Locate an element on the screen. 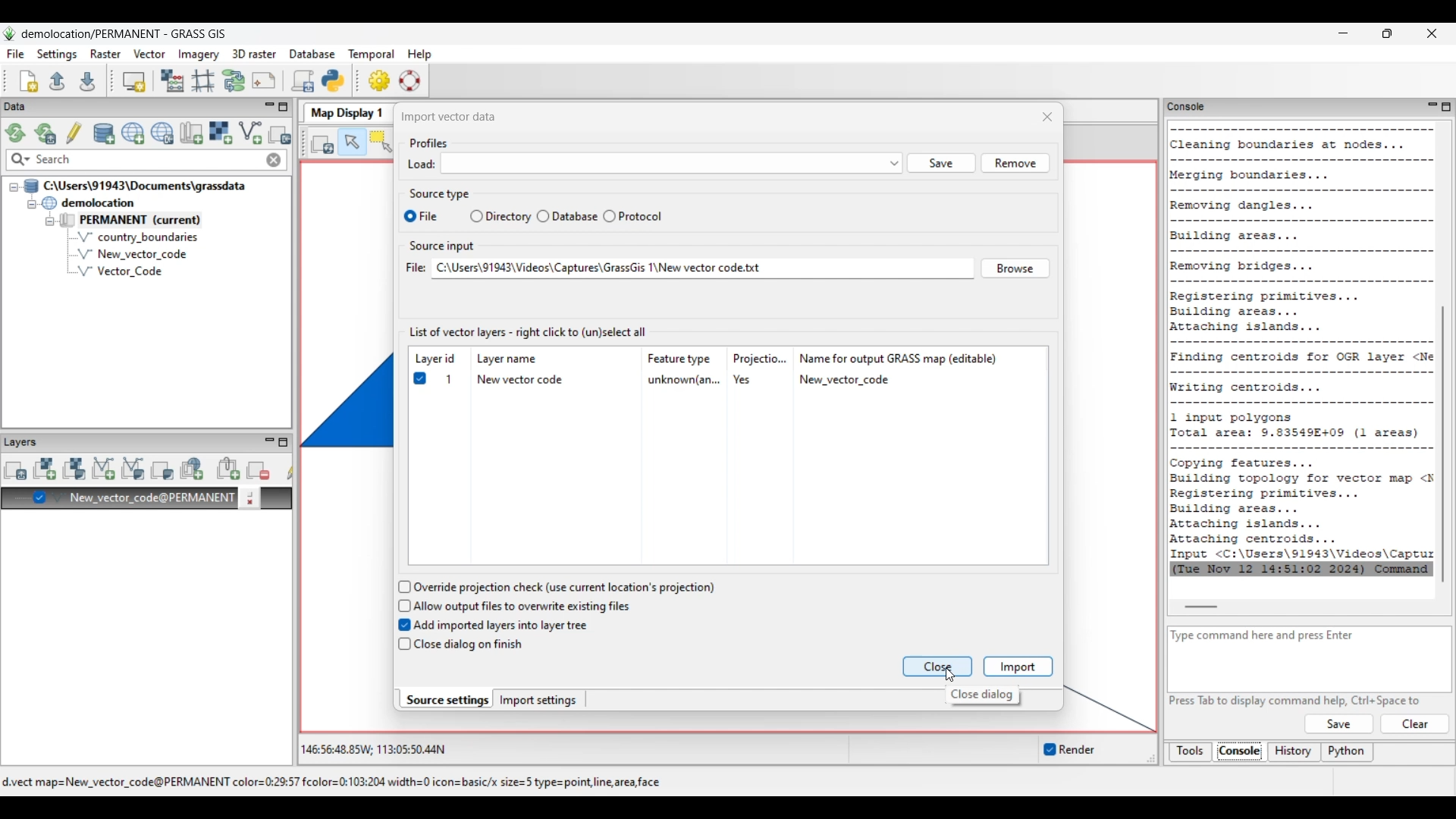  Minimize is located at coordinates (1343, 33).